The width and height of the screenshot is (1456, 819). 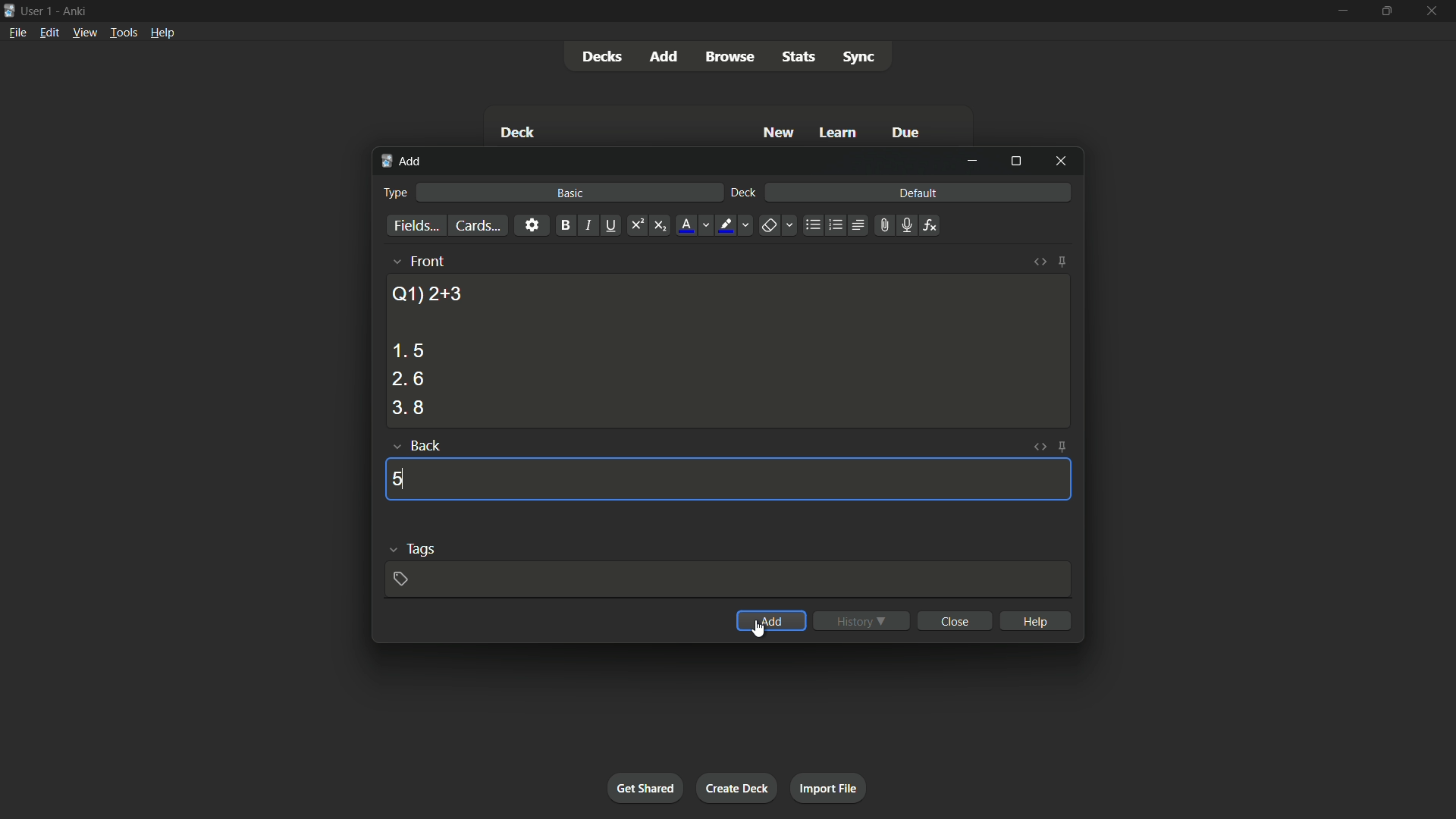 What do you see at coordinates (957, 620) in the screenshot?
I see `close` at bounding box center [957, 620].